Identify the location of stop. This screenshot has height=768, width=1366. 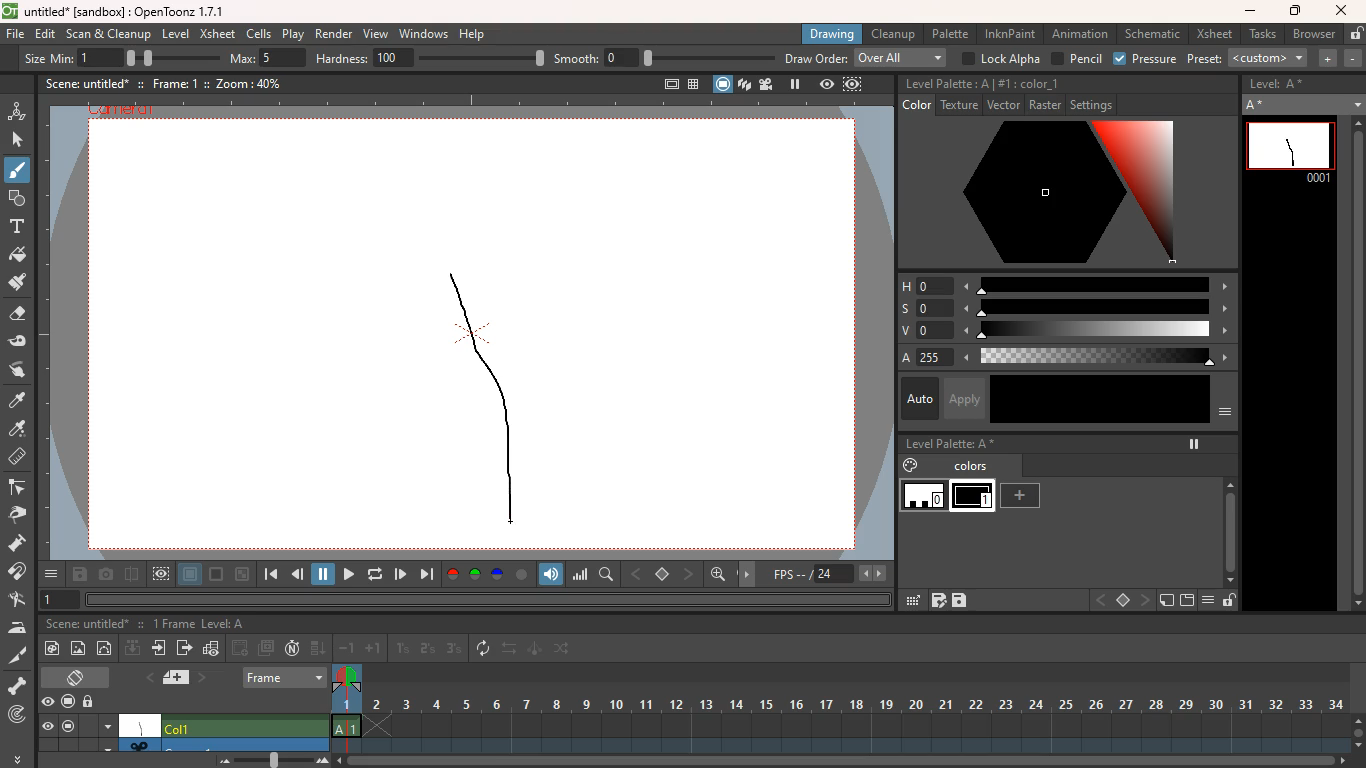
(664, 575).